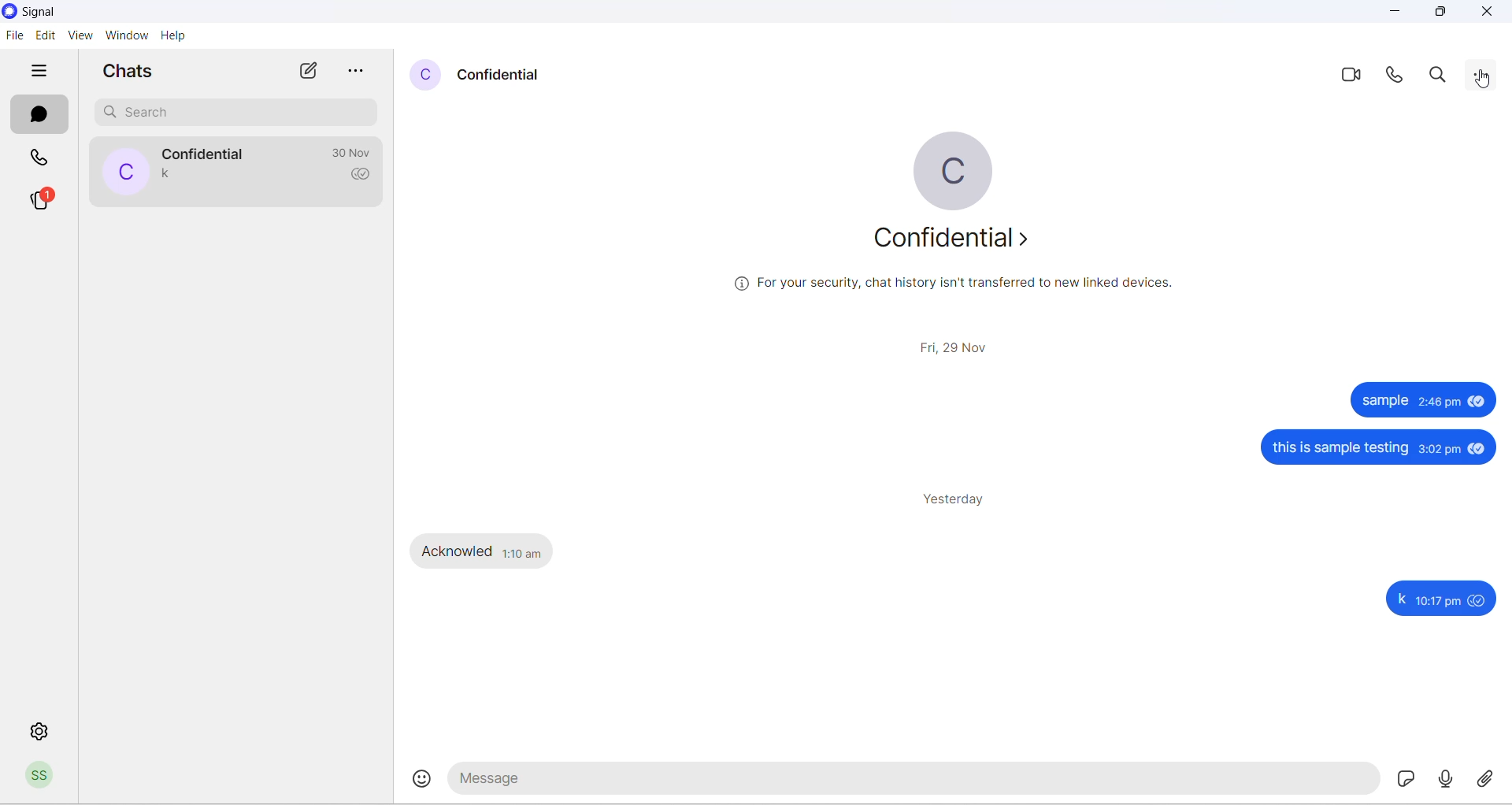 This screenshot has width=1512, height=805. What do you see at coordinates (176, 180) in the screenshot?
I see `last message` at bounding box center [176, 180].